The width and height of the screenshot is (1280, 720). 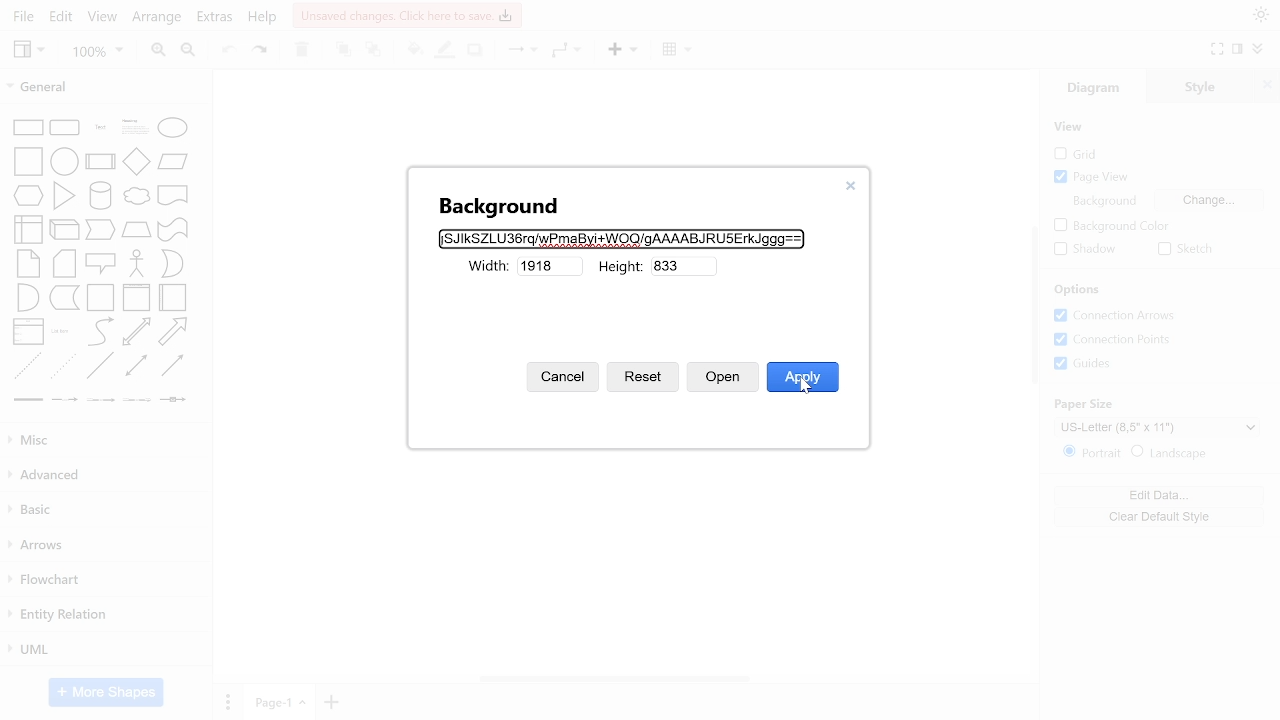 I want to click on current page, so click(x=278, y=702).